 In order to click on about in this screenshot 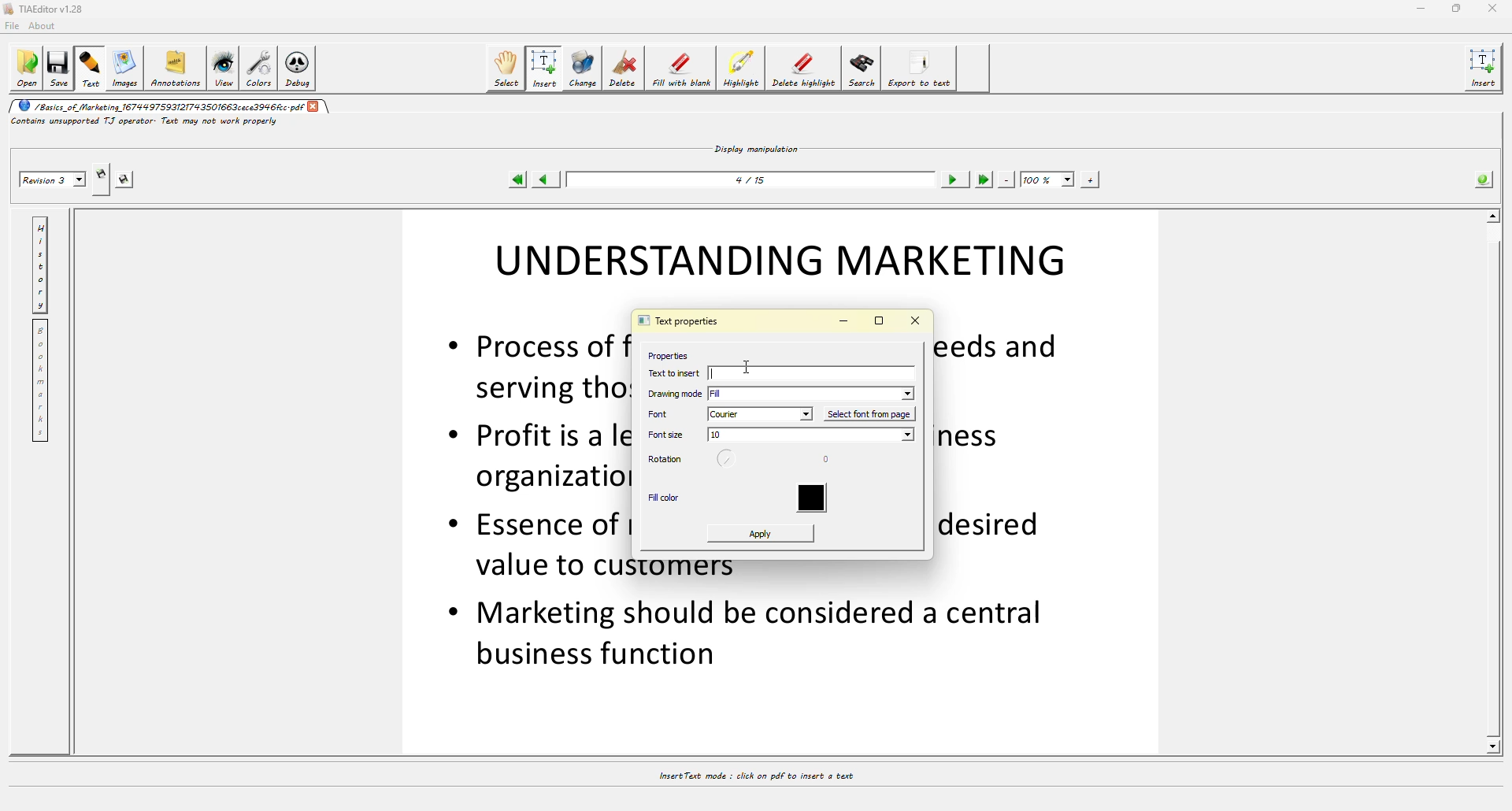, I will do `click(46, 26)`.